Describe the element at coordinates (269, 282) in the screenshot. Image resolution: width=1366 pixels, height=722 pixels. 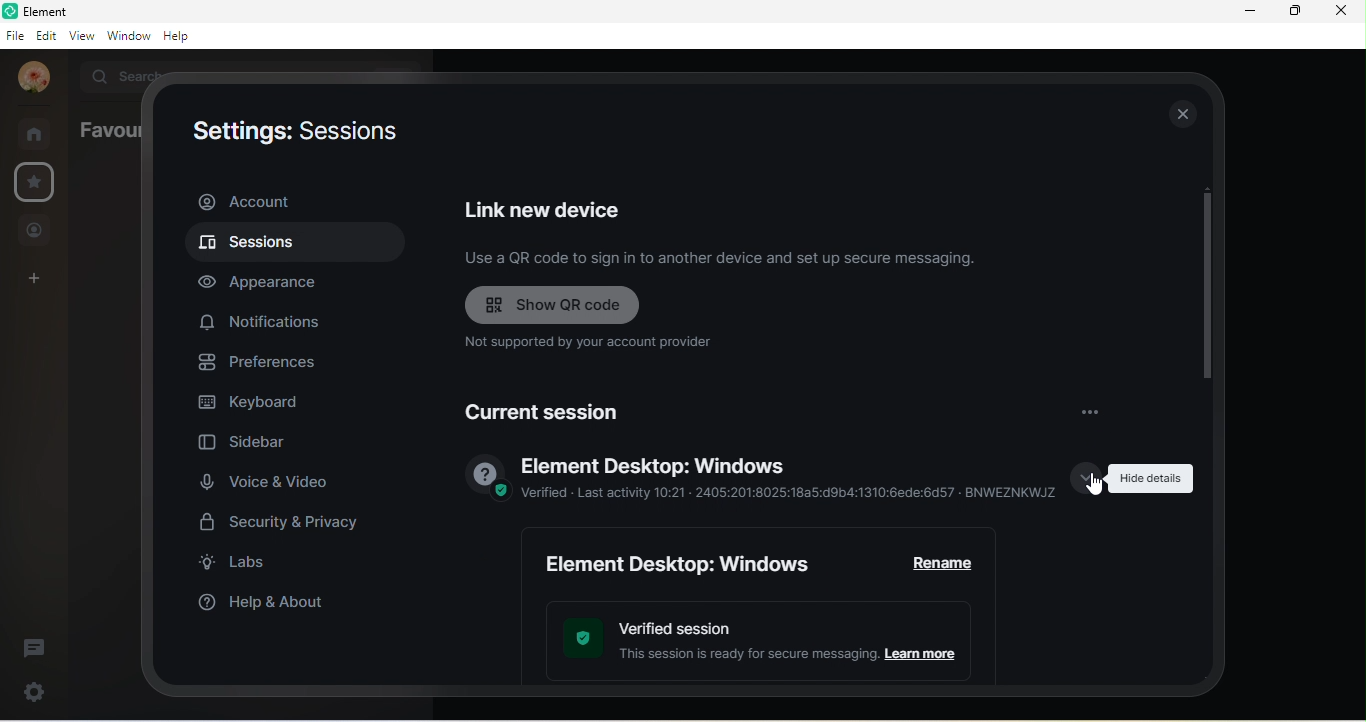
I see `appearance` at that location.